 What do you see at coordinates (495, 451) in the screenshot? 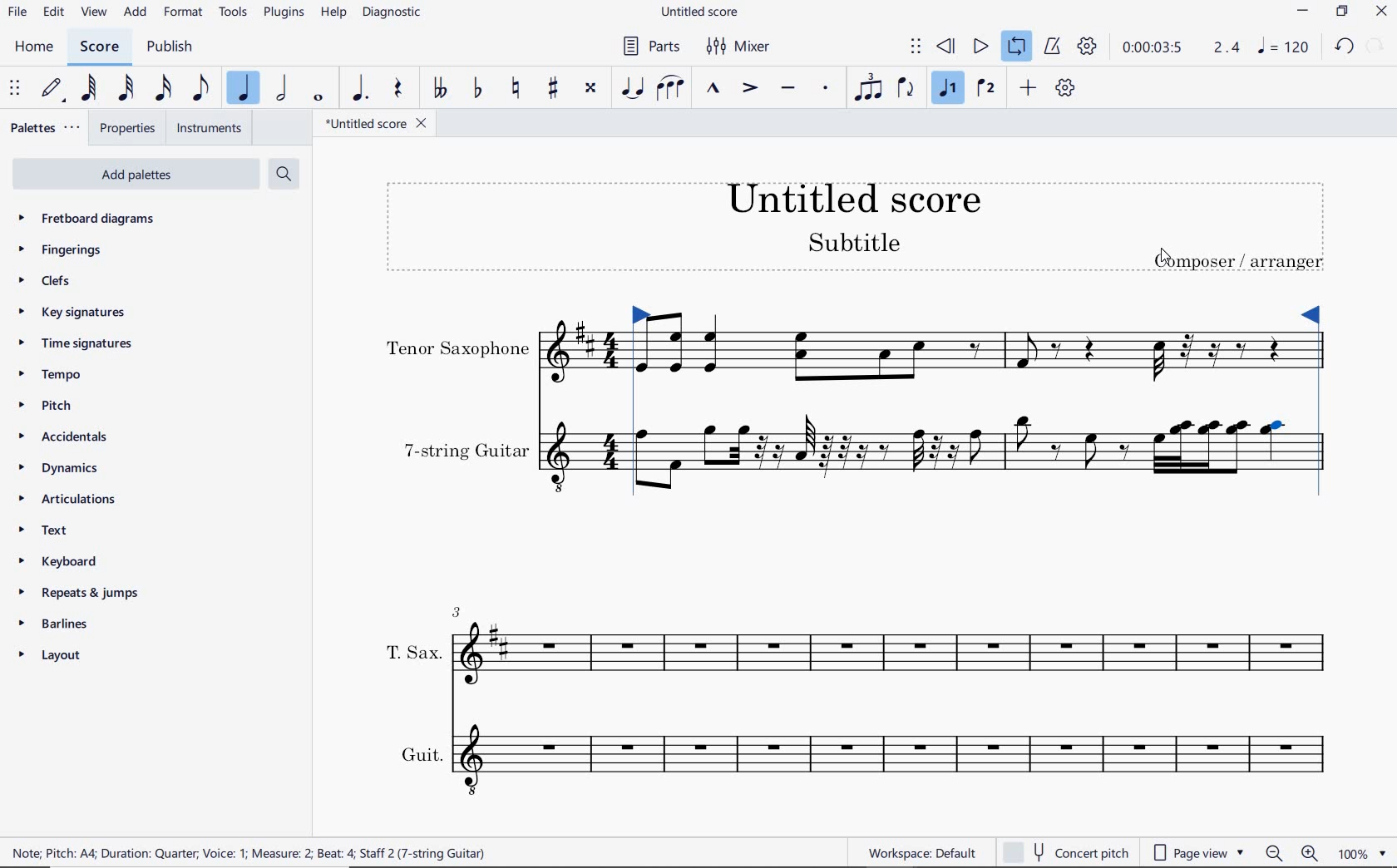
I see `INSTRUMENT: 7-STRING GUITAR` at bounding box center [495, 451].